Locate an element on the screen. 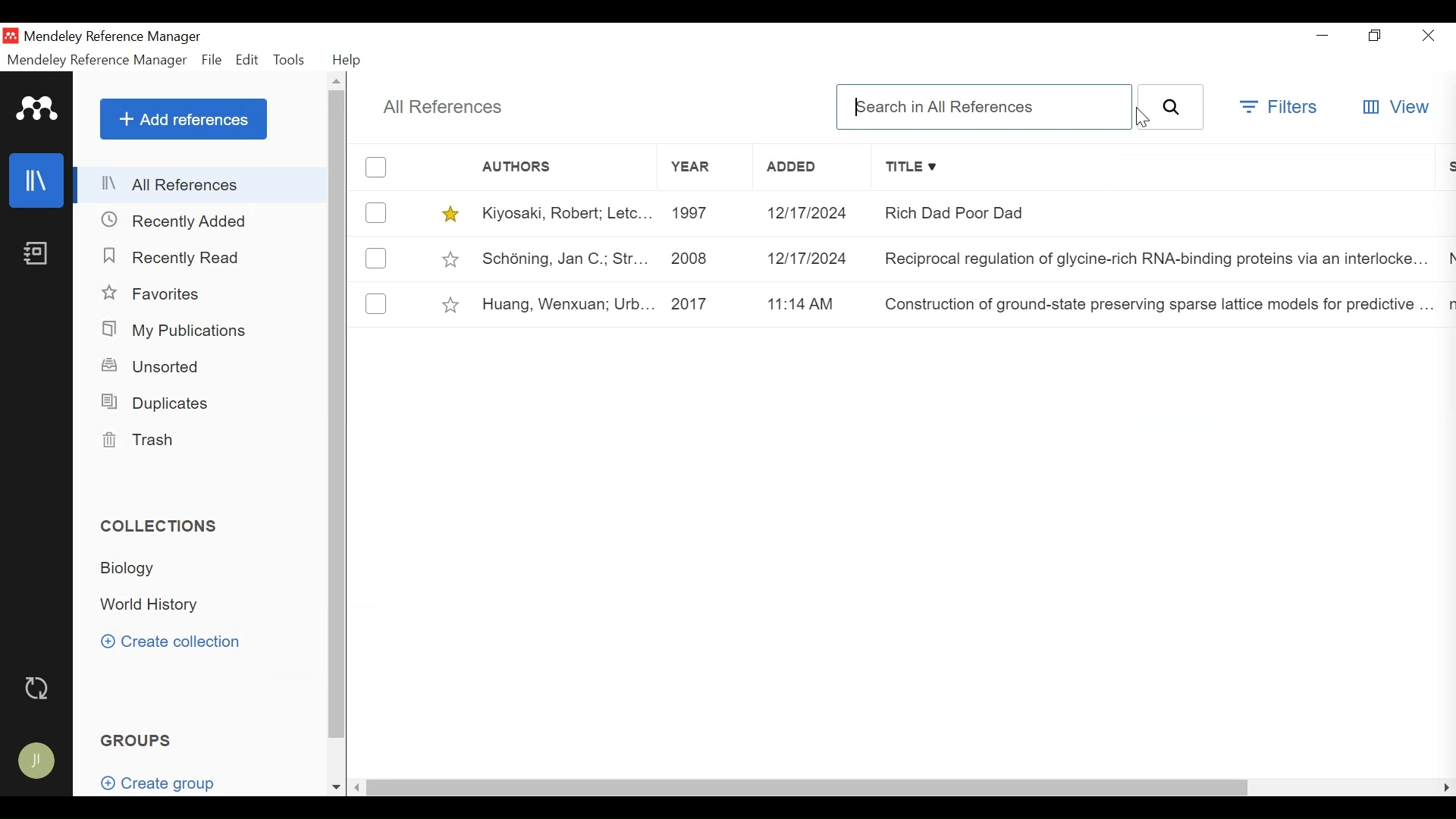 The height and width of the screenshot is (819, 1456). Rich Dad Poor Dad is located at coordinates (1156, 212).